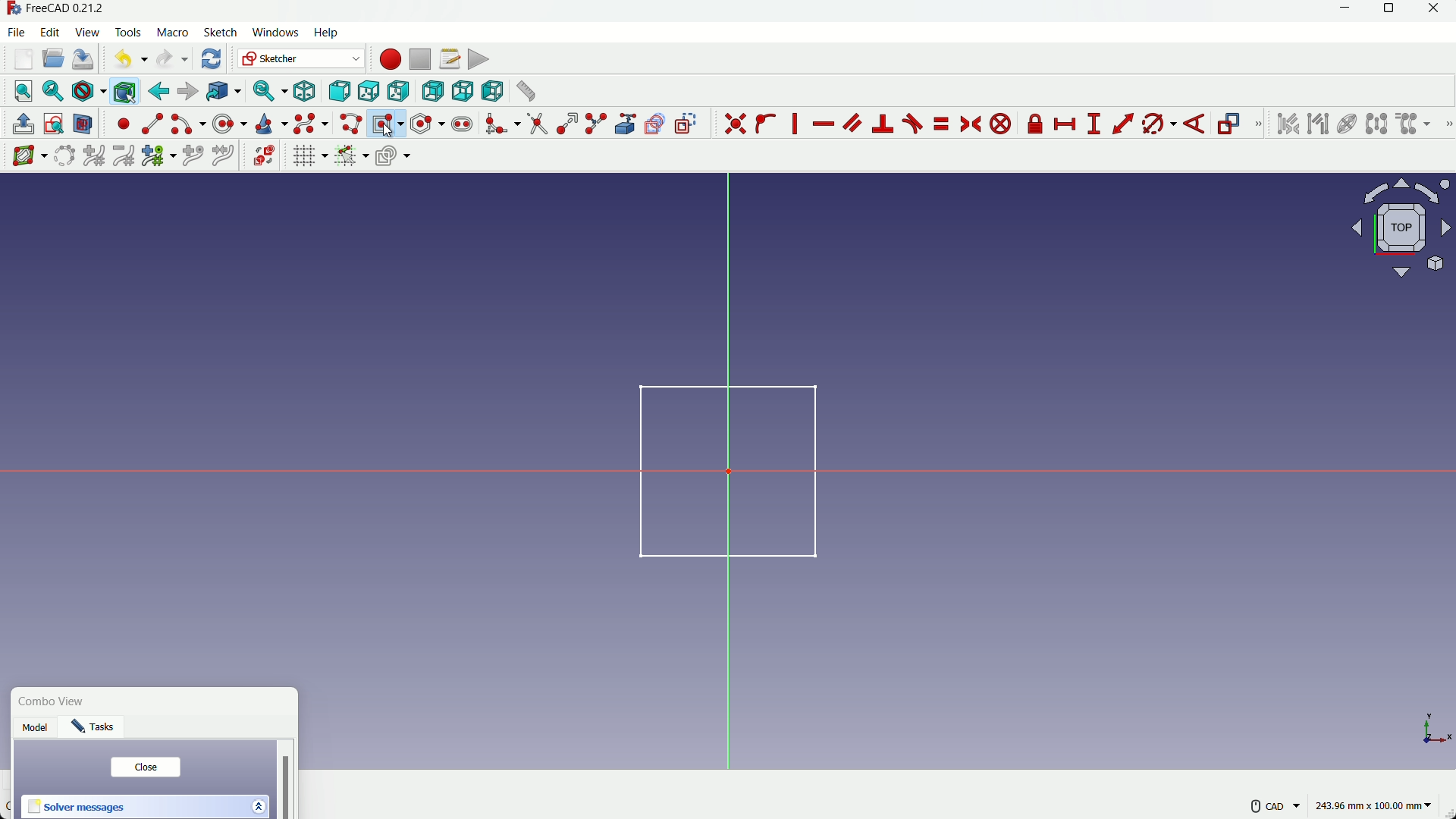  Describe the element at coordinates (331, 33) in the screenshot. I see `help menu` at that location.